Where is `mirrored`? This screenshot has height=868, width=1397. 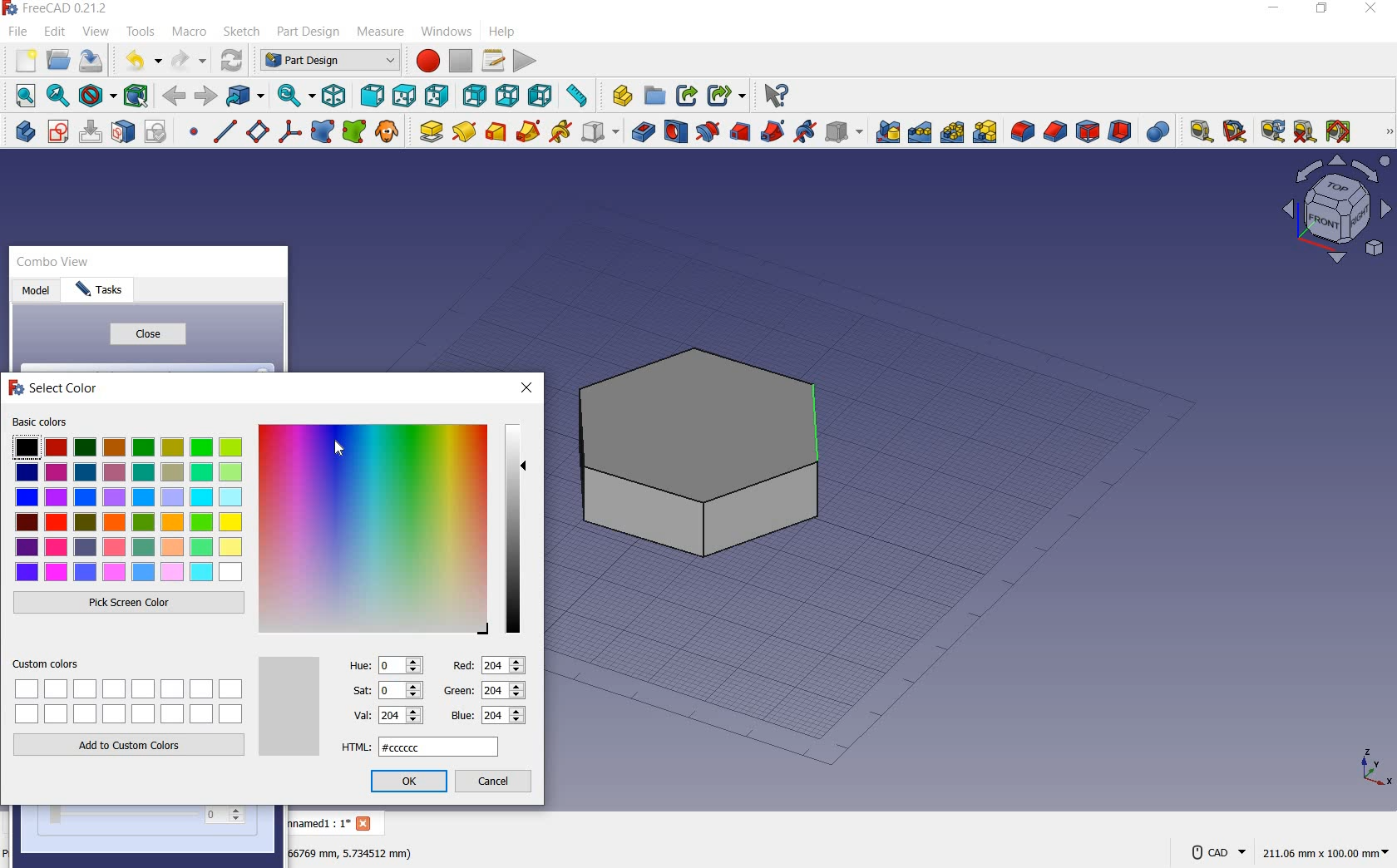 mirrored is located at coordinates (888, 131).